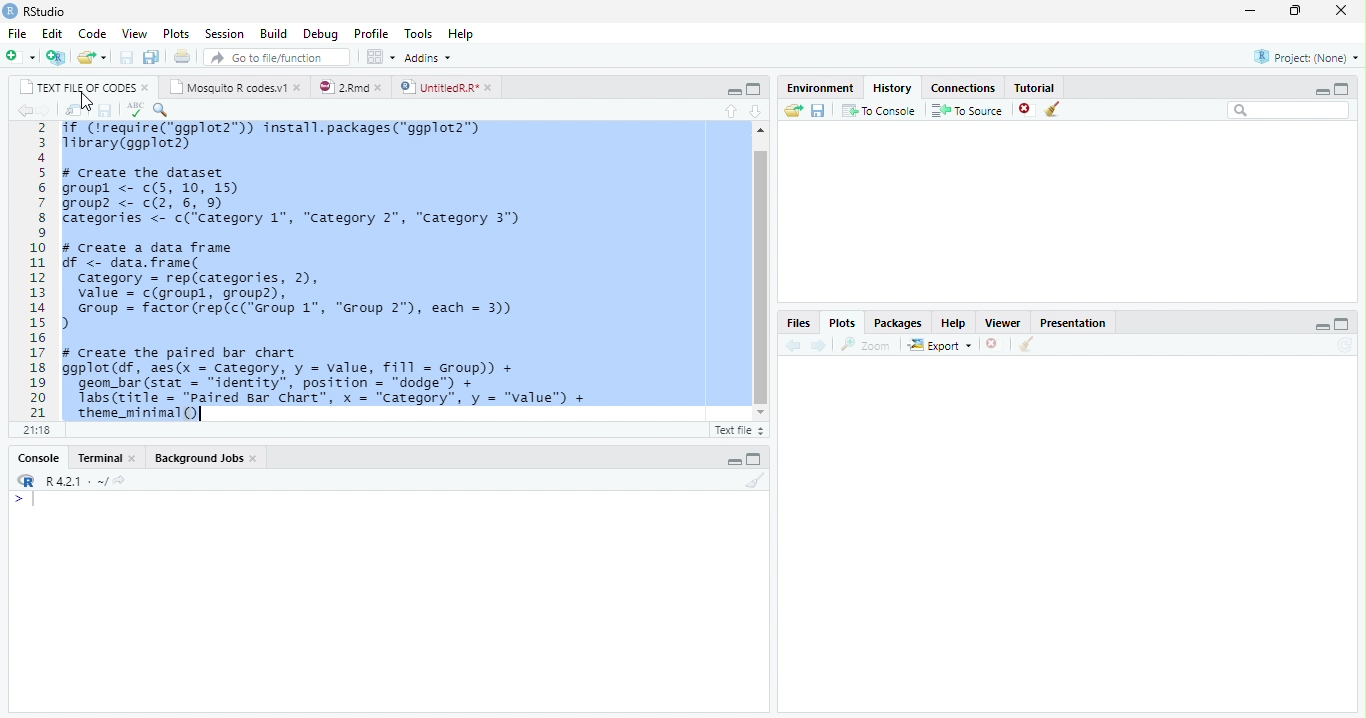  I want to click on minimize, so click(1324, 326).